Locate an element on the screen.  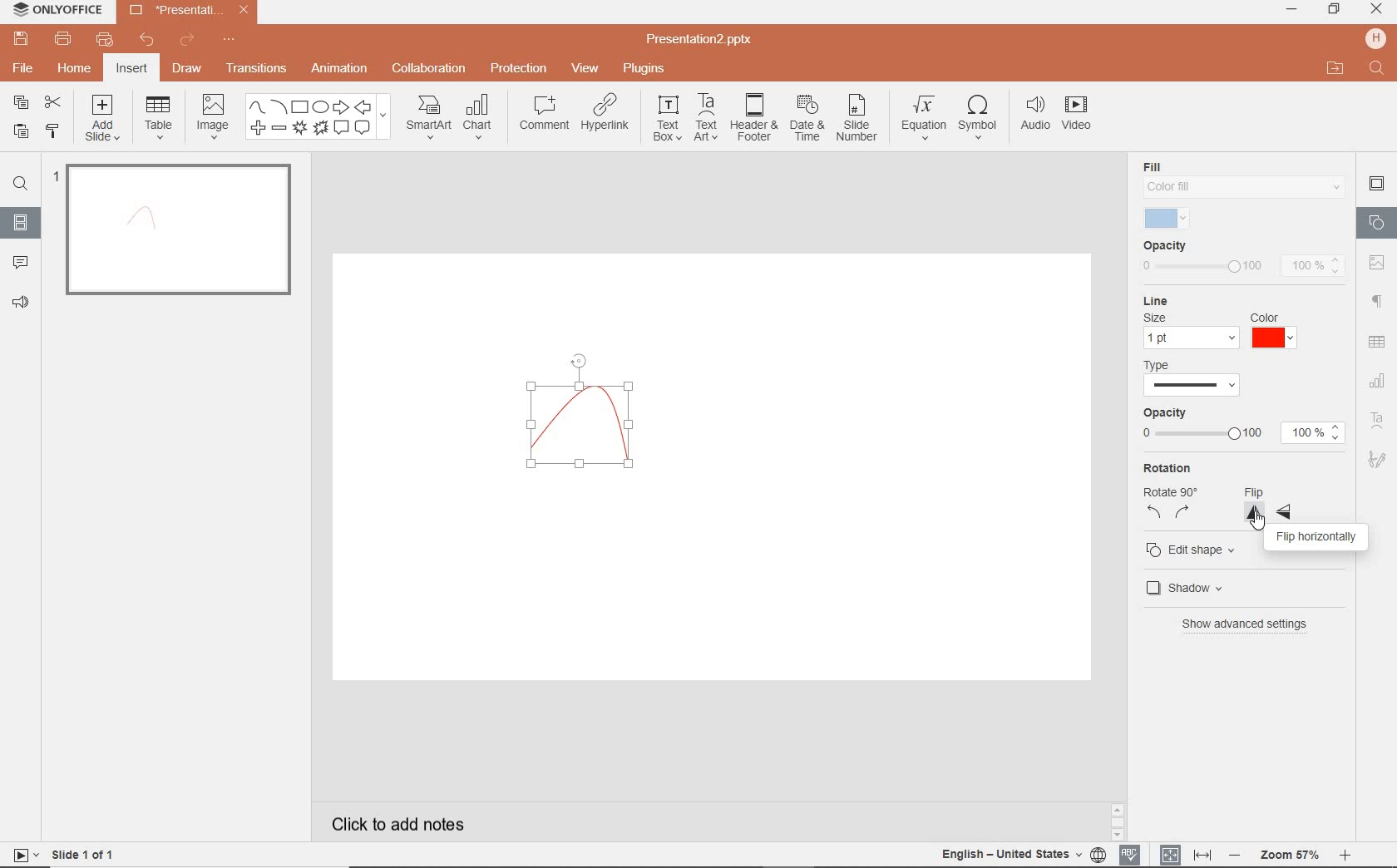
SPELL CHECKING is located at coordinates (1131, 853).